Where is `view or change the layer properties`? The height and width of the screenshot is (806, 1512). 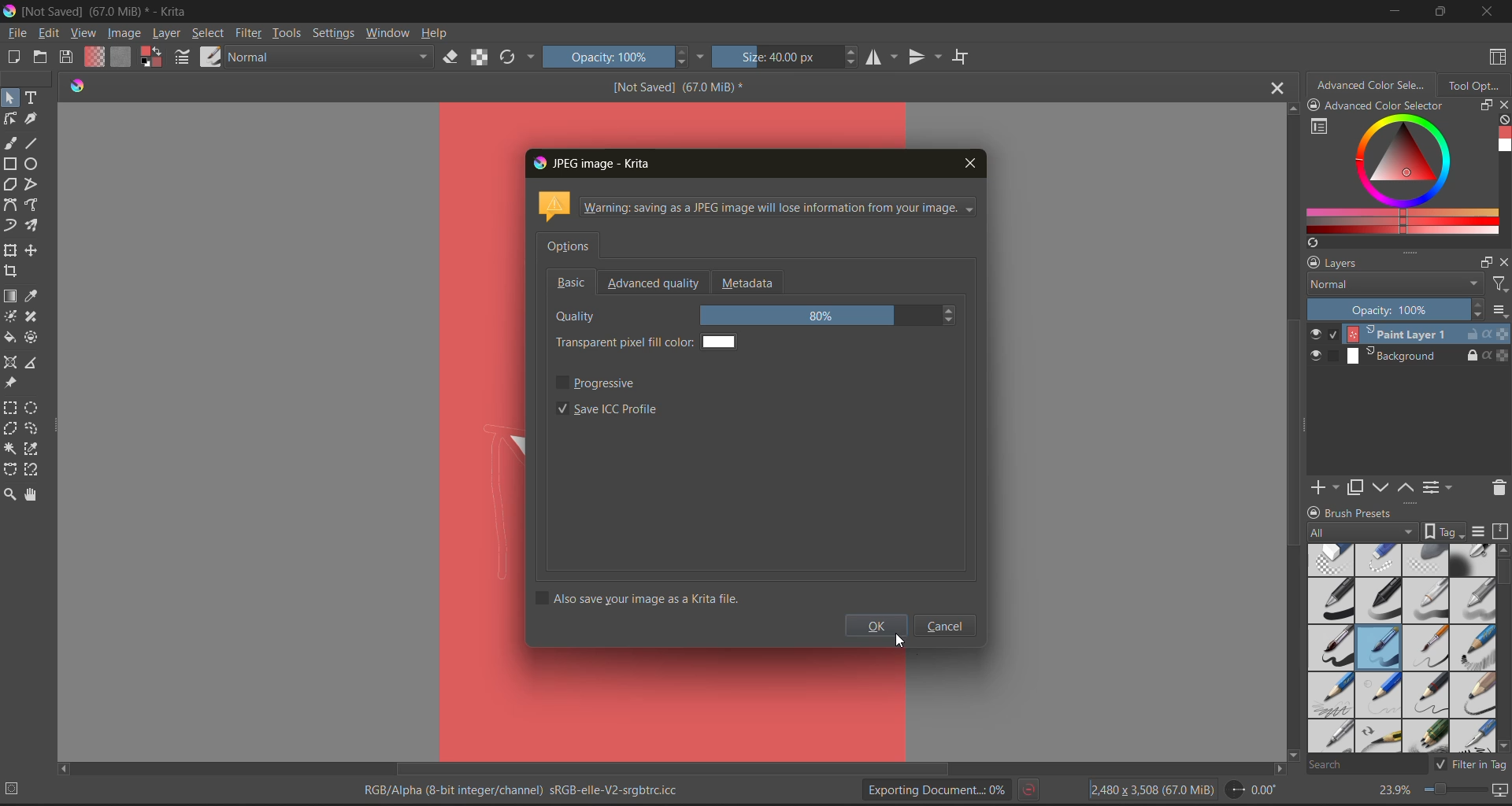
view or change the layer properties is located at coordinates (1439, 486).